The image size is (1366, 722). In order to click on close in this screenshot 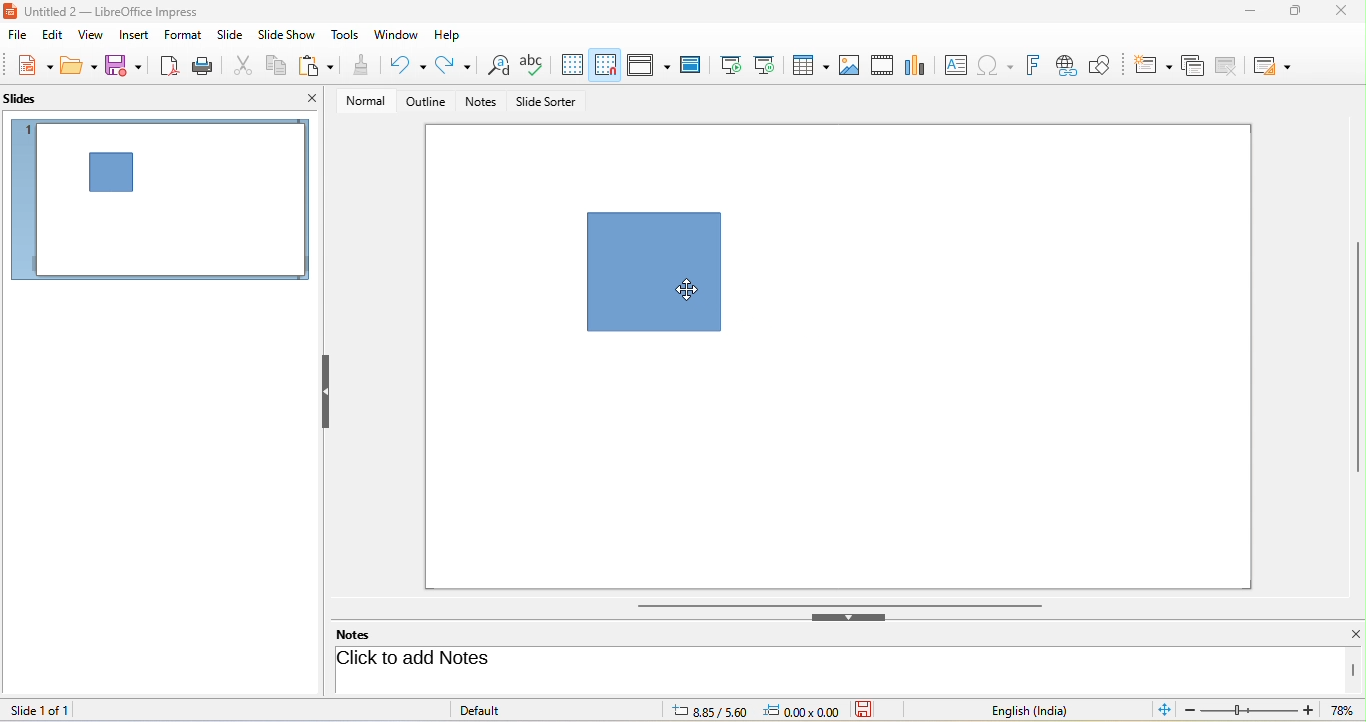, I will do `click(1339, 12)`.